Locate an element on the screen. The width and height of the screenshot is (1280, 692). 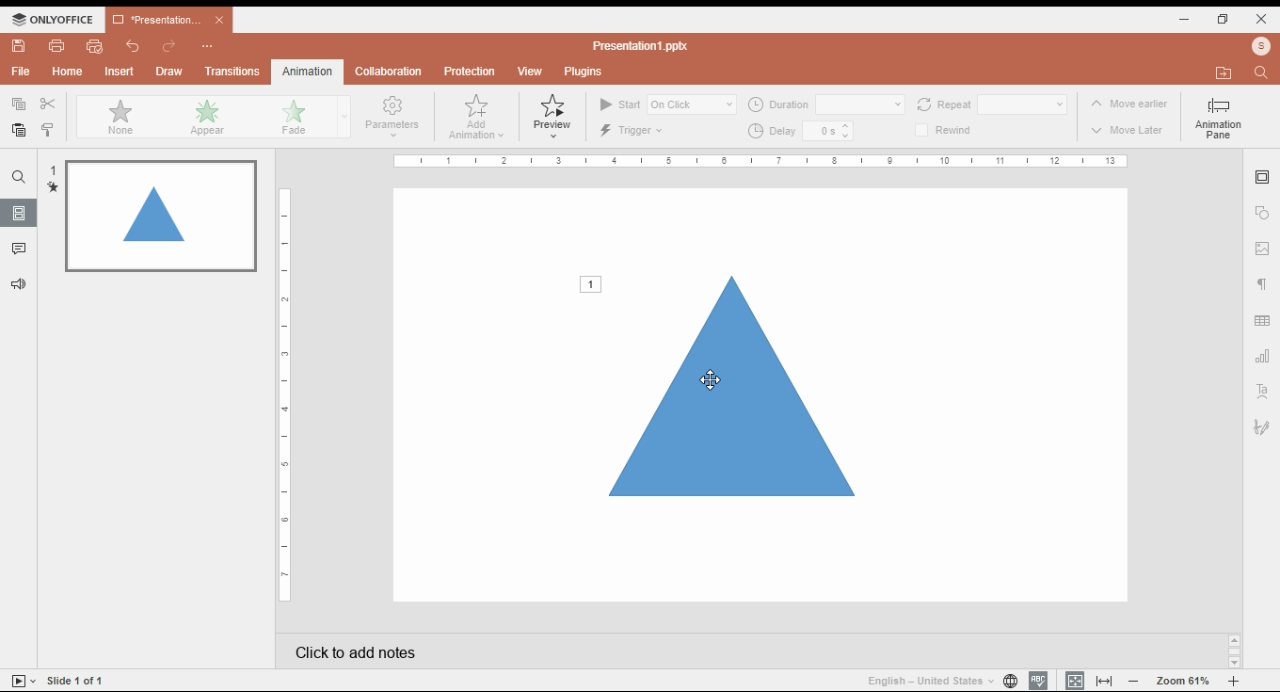
delay is located at coordinates (802, 131).